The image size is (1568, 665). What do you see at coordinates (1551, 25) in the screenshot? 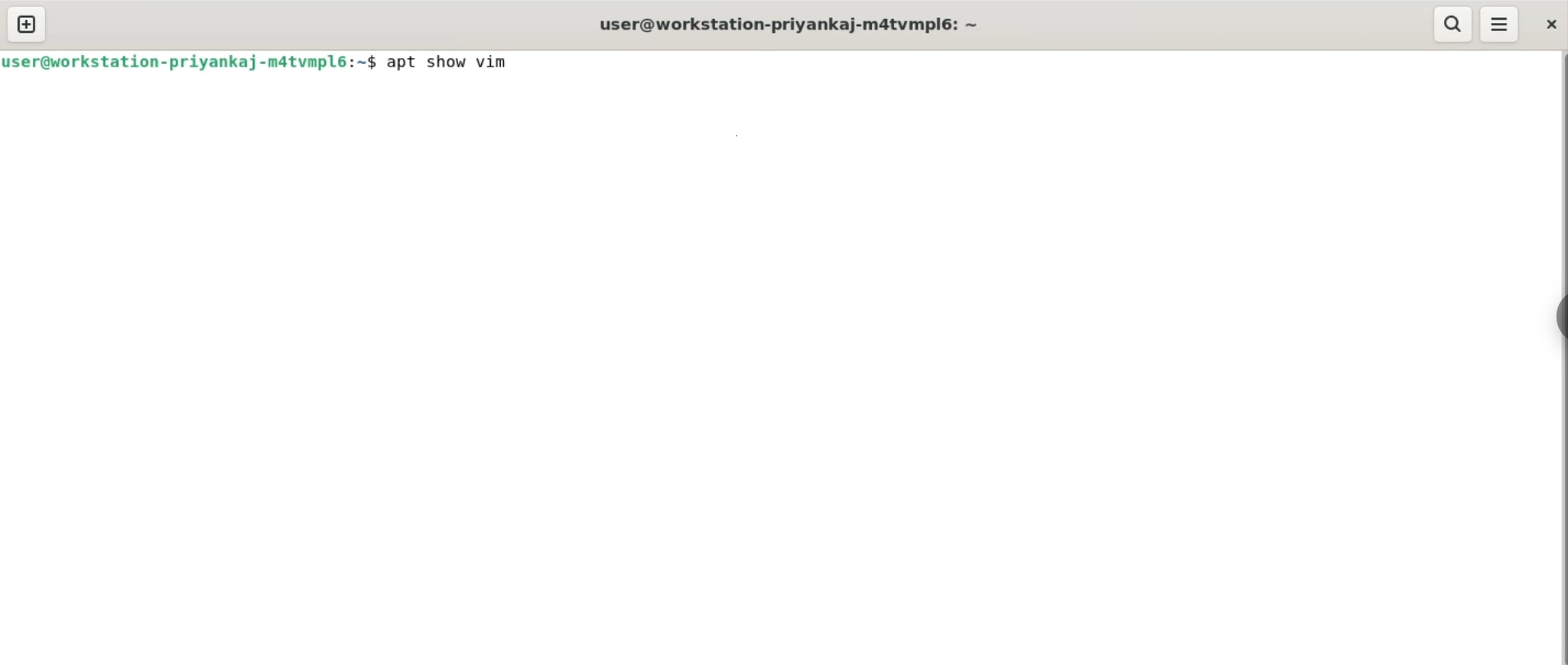
I see `close` at bounding box center [1551, 25].